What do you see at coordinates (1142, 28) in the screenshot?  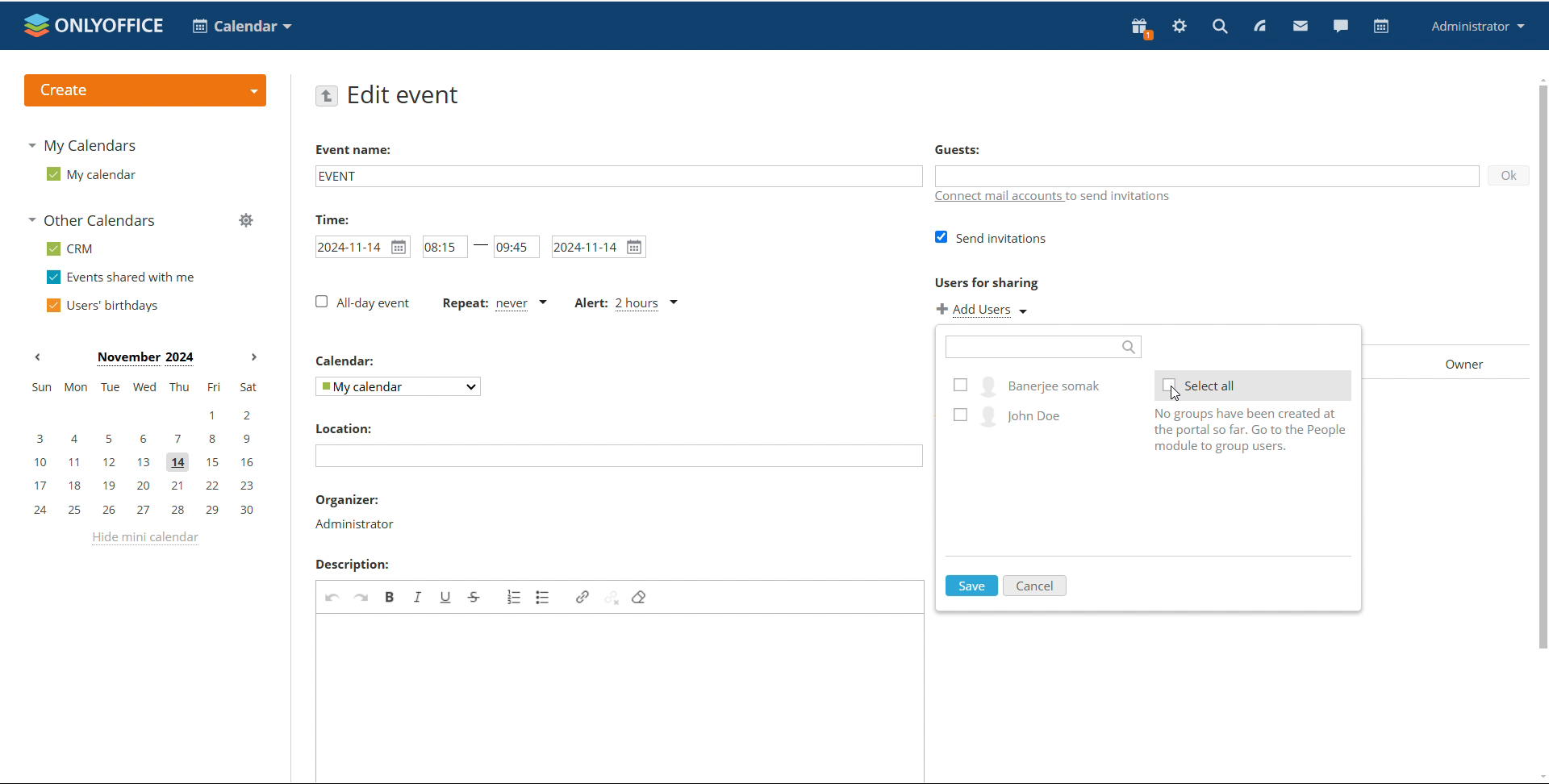 I see `reward` at bounding box center [1142, 28].